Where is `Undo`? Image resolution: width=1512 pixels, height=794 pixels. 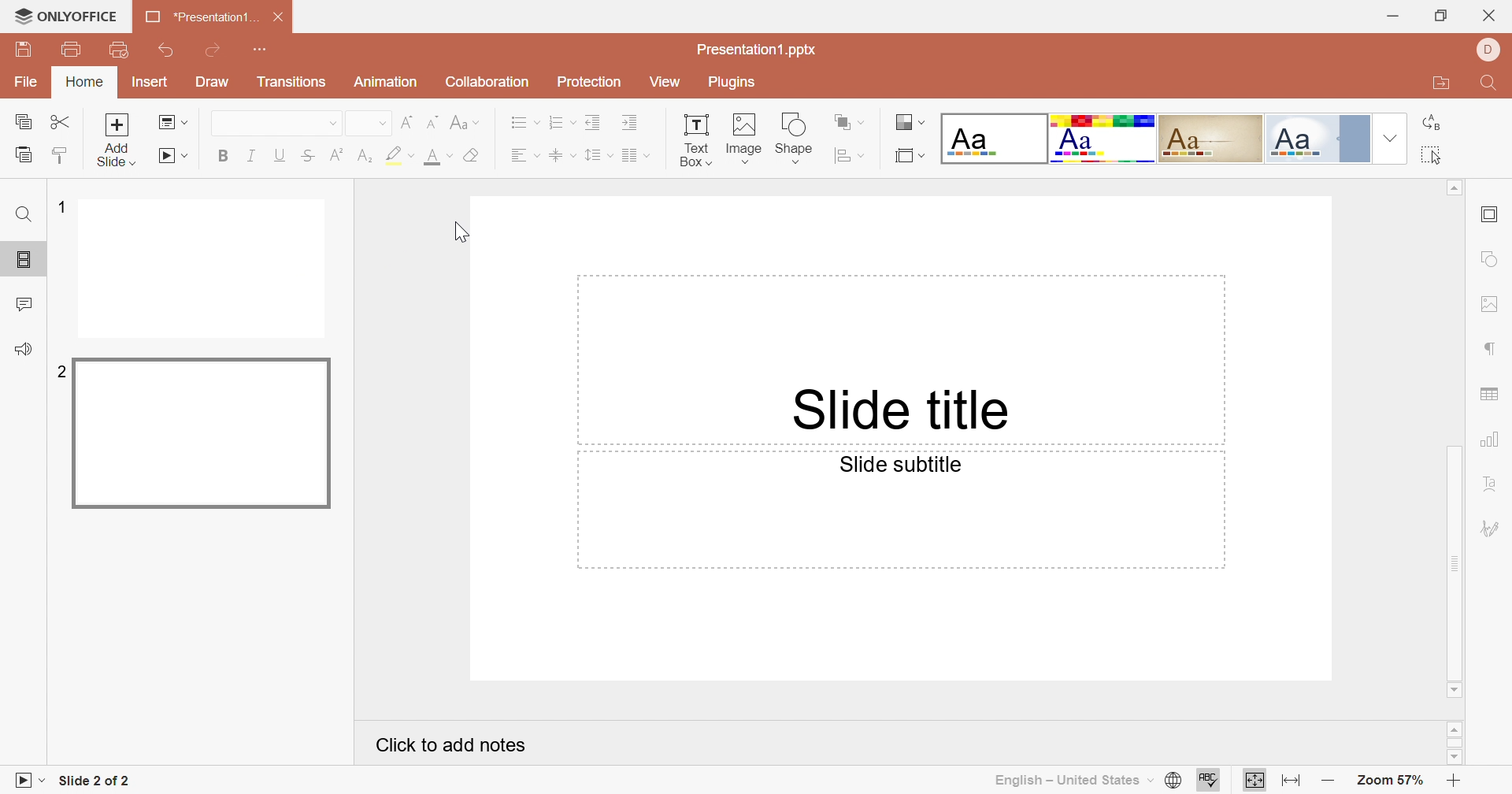
Undo is located at coordinates (169, 50).